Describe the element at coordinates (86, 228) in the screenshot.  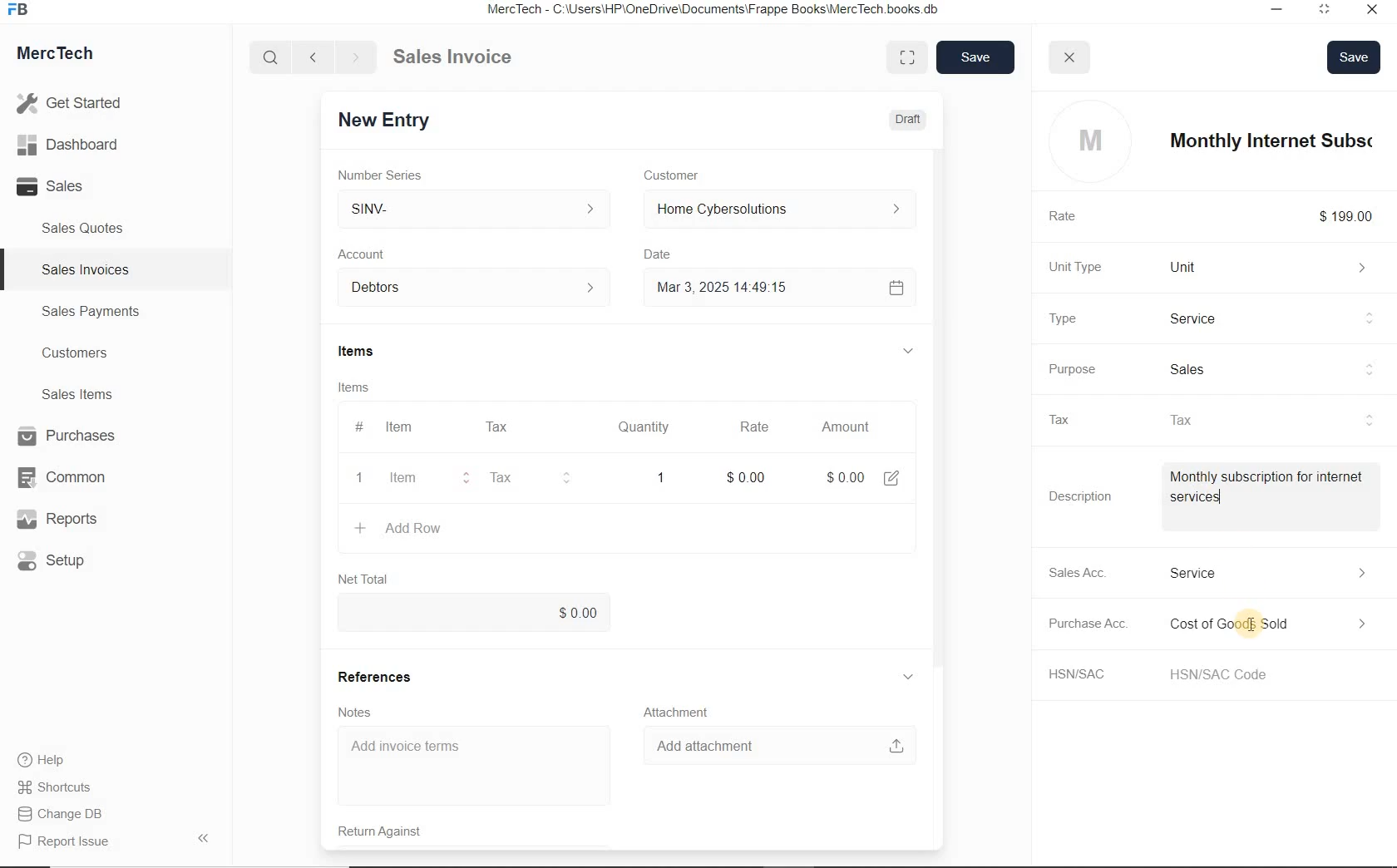
I see `Sales Quotes` at that location.